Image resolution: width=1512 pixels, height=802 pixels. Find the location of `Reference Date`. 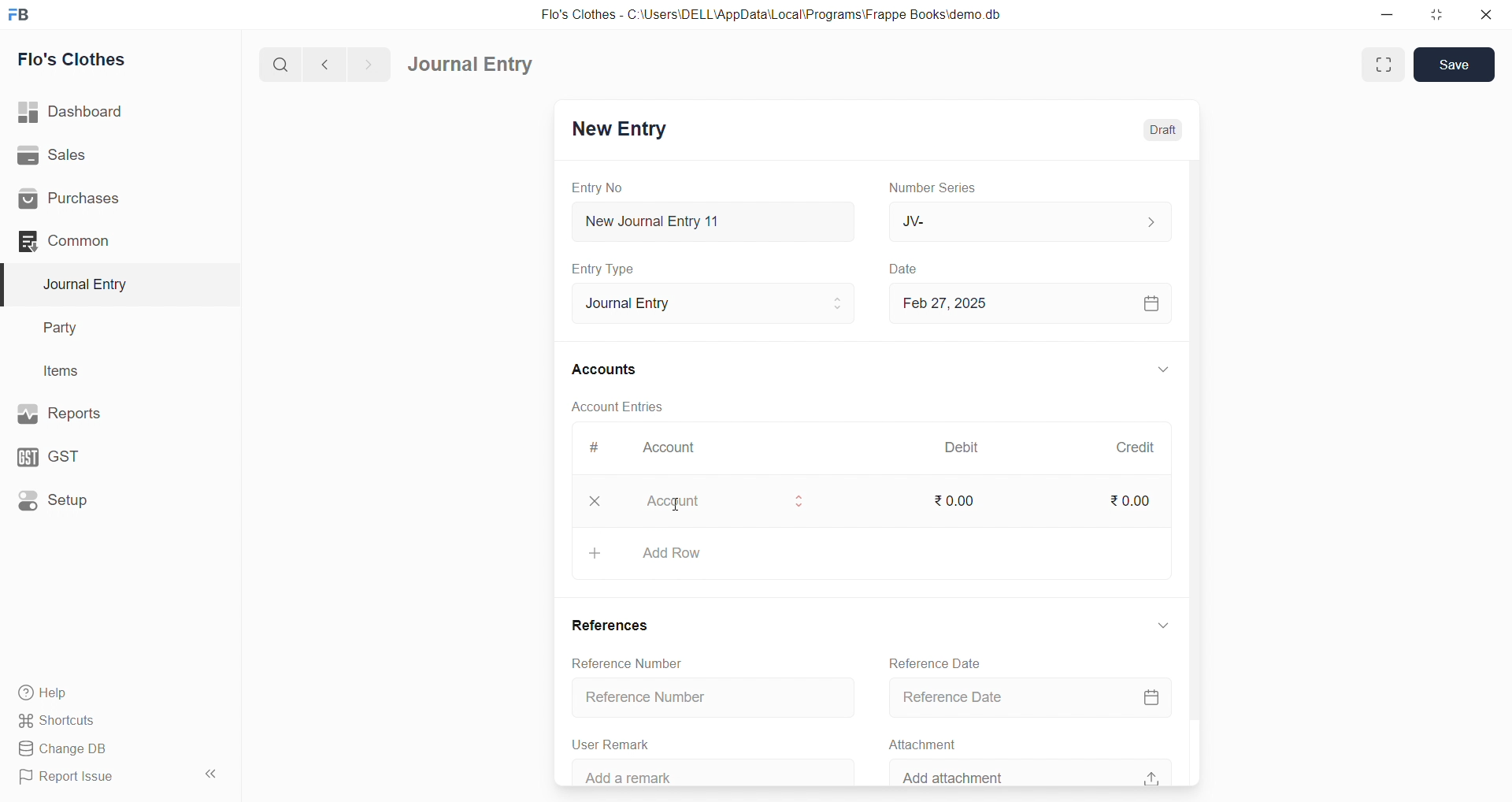

Reference Date is located at coordinates (1028, 697).